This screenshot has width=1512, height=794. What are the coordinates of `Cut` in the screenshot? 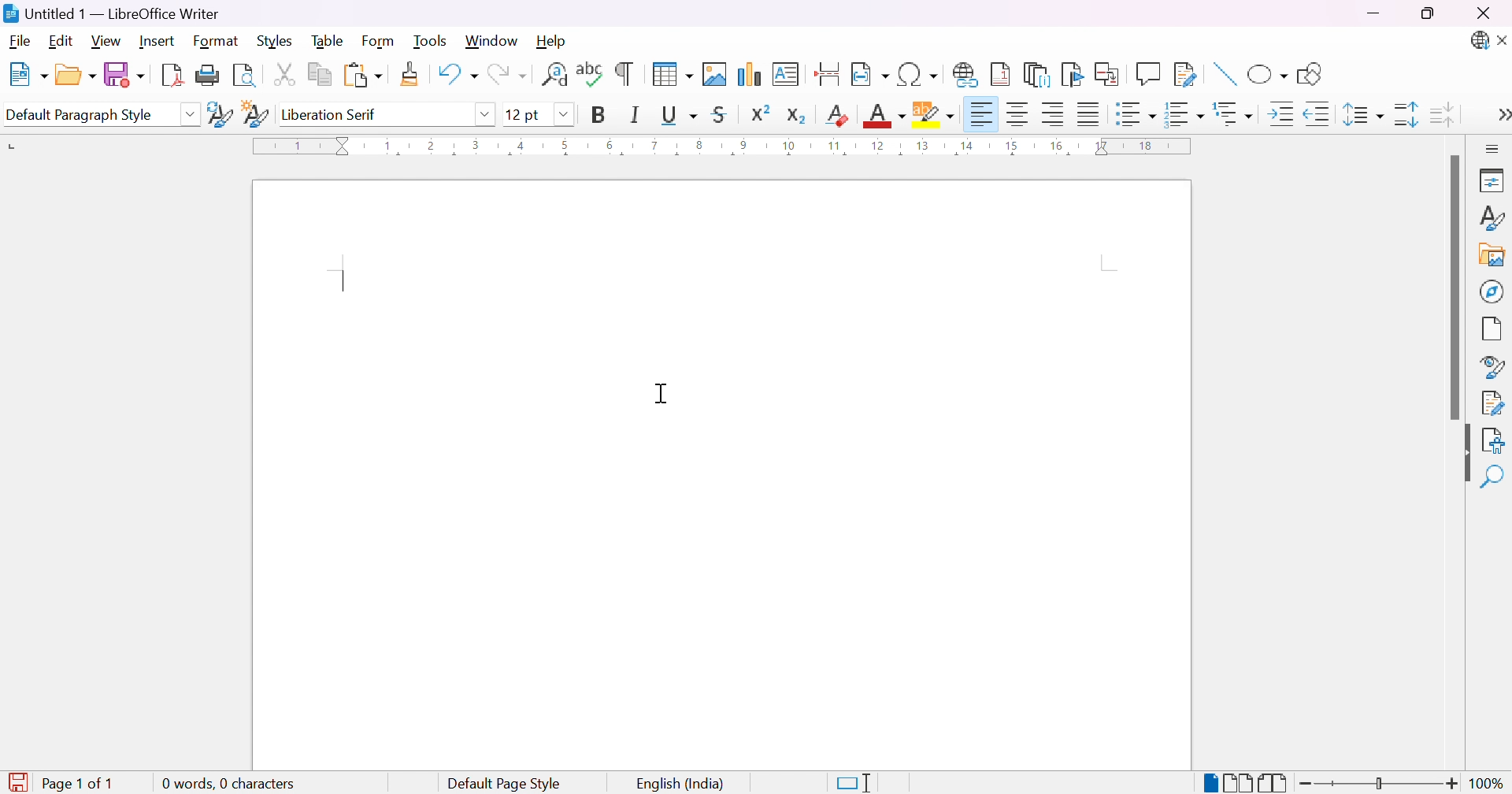 It's located at (283, 73).